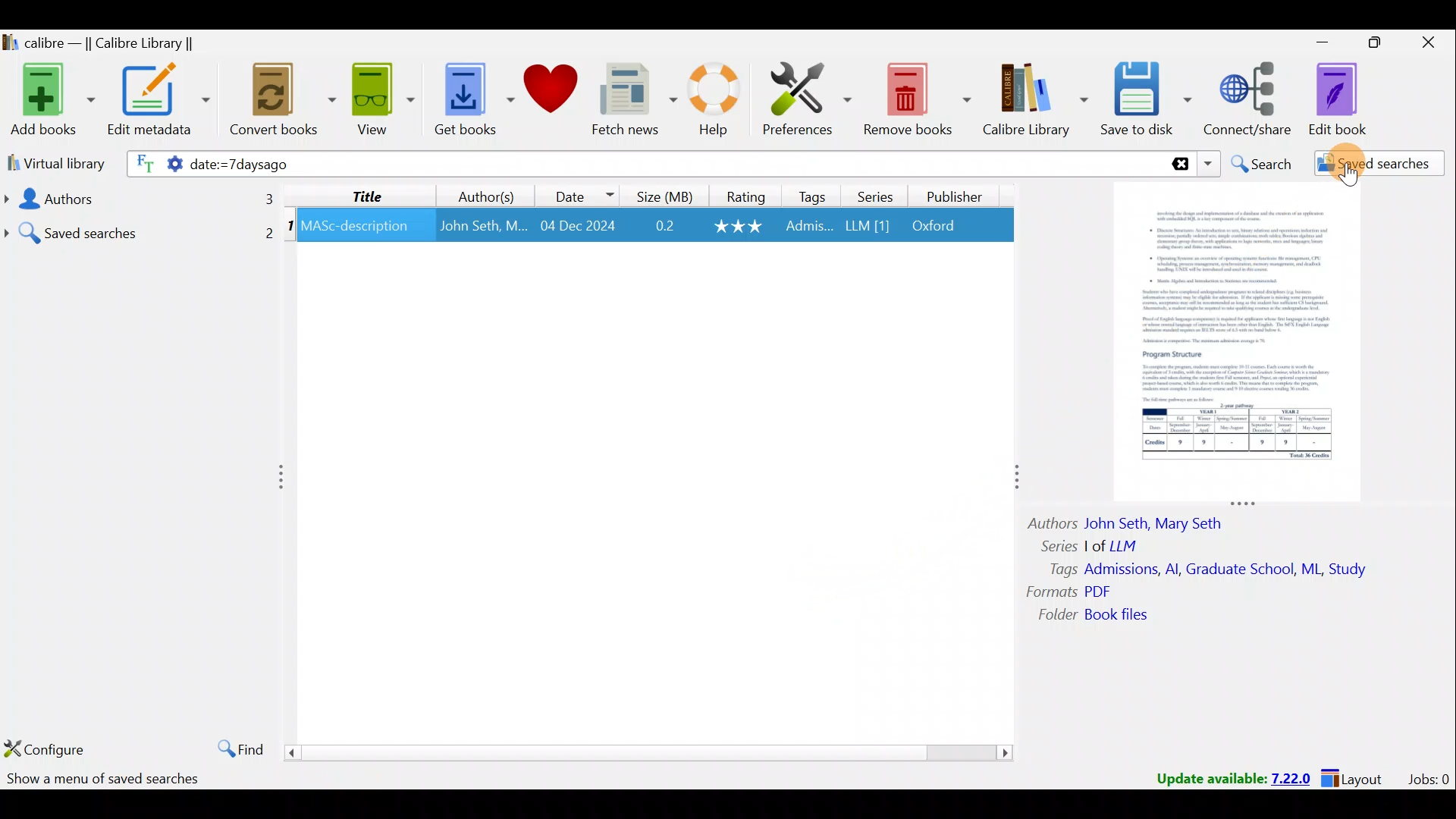 This screenshot has height=819, width=1456. Describe the element at coordinates (1368, 45) in the screenshot. I see `Maximize` at that location.